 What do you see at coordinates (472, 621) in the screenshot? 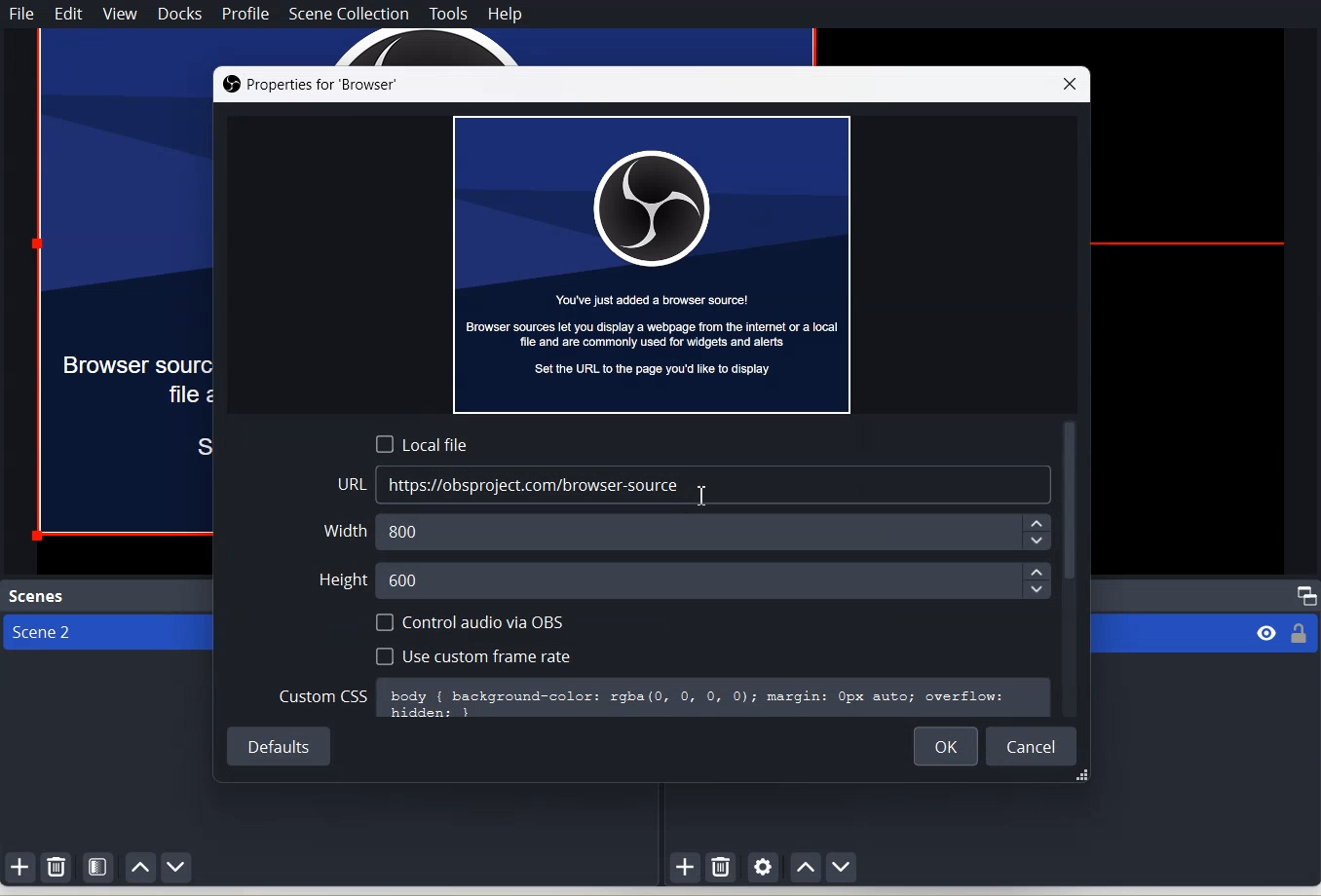
I see `Control audio via OBS` at bounding box center [472, 621].